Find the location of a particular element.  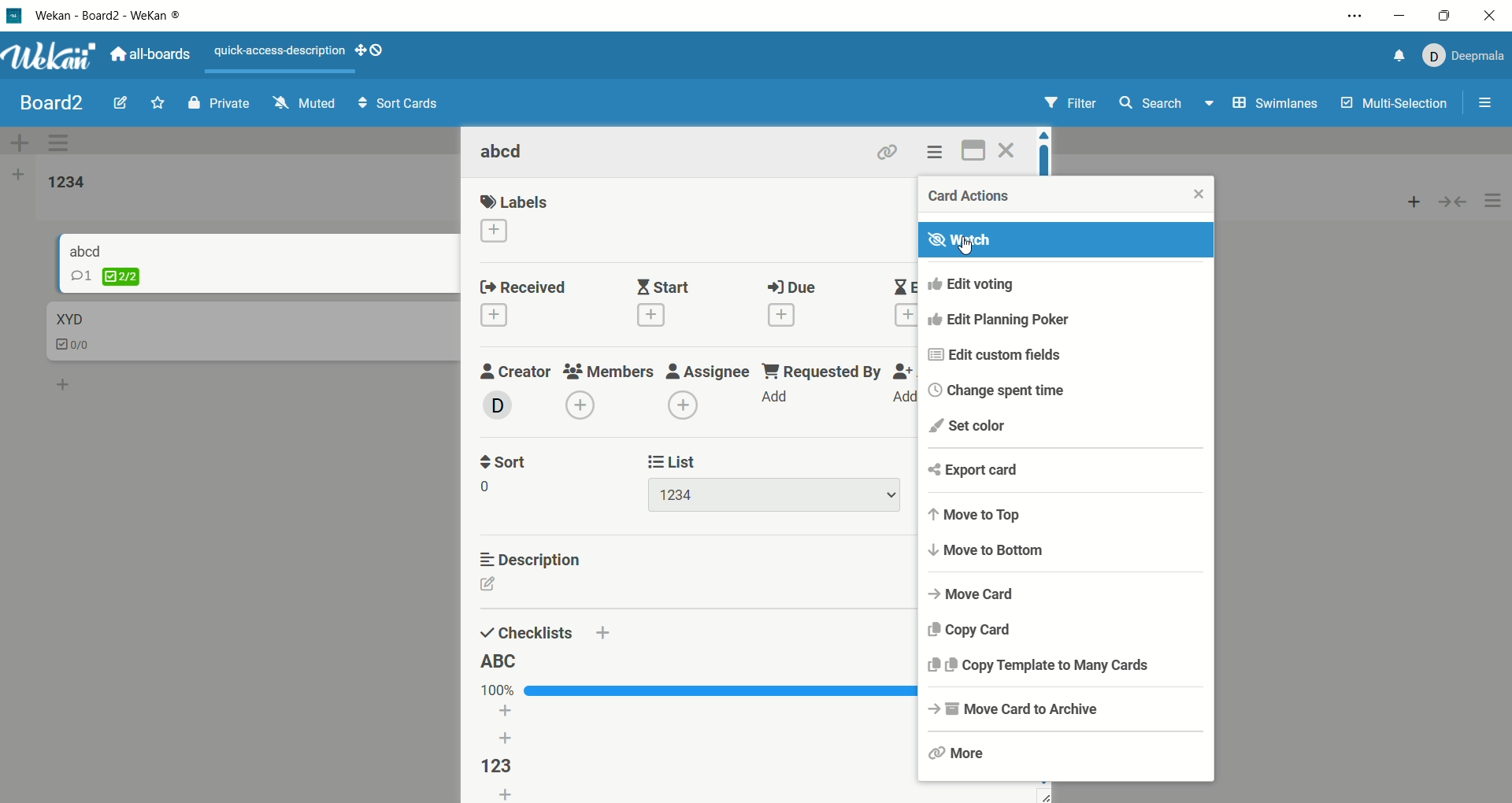

card actions is located at coordinates (980, 197).